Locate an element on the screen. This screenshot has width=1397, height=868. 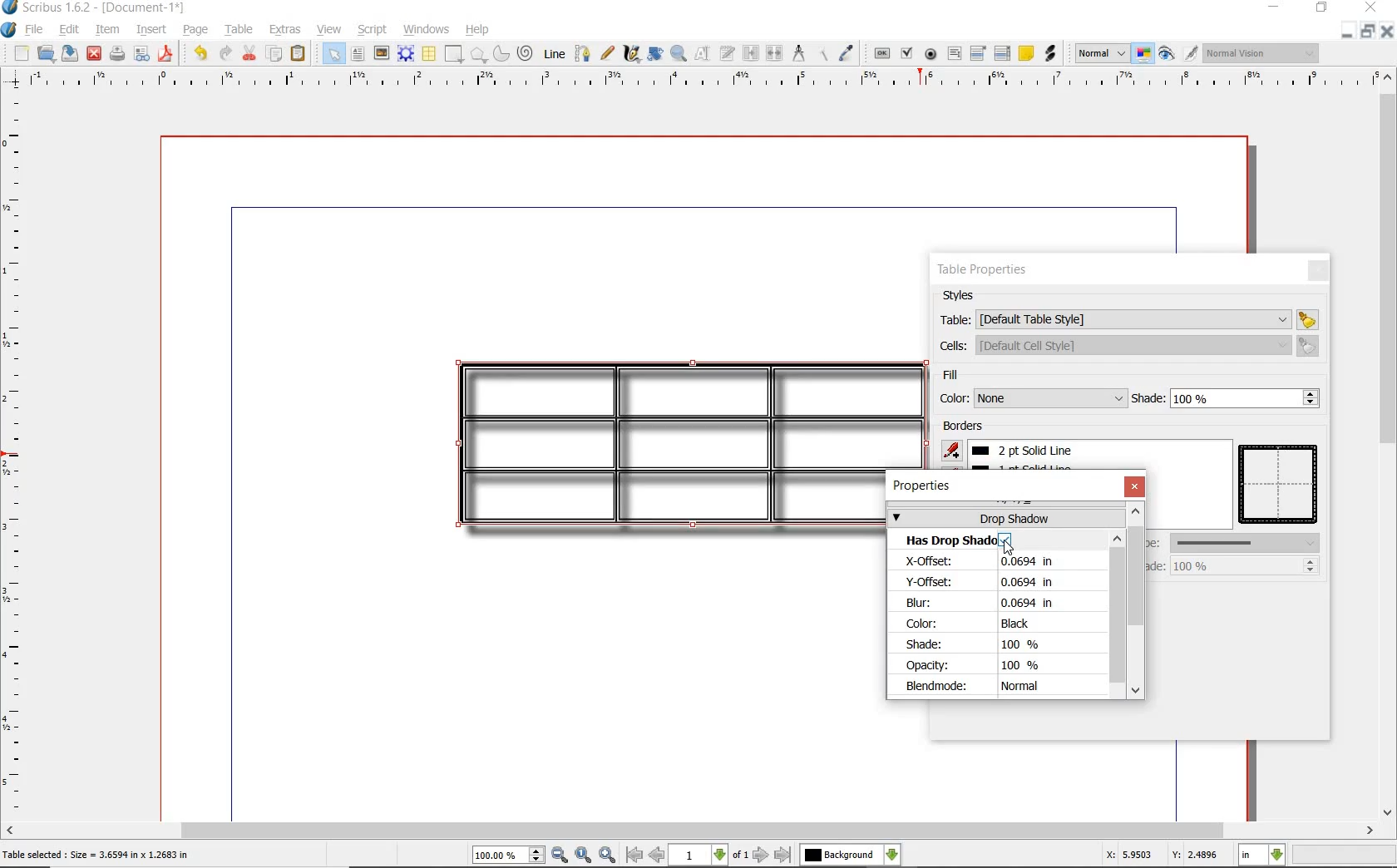
redo is located at coordinates (225, 54).